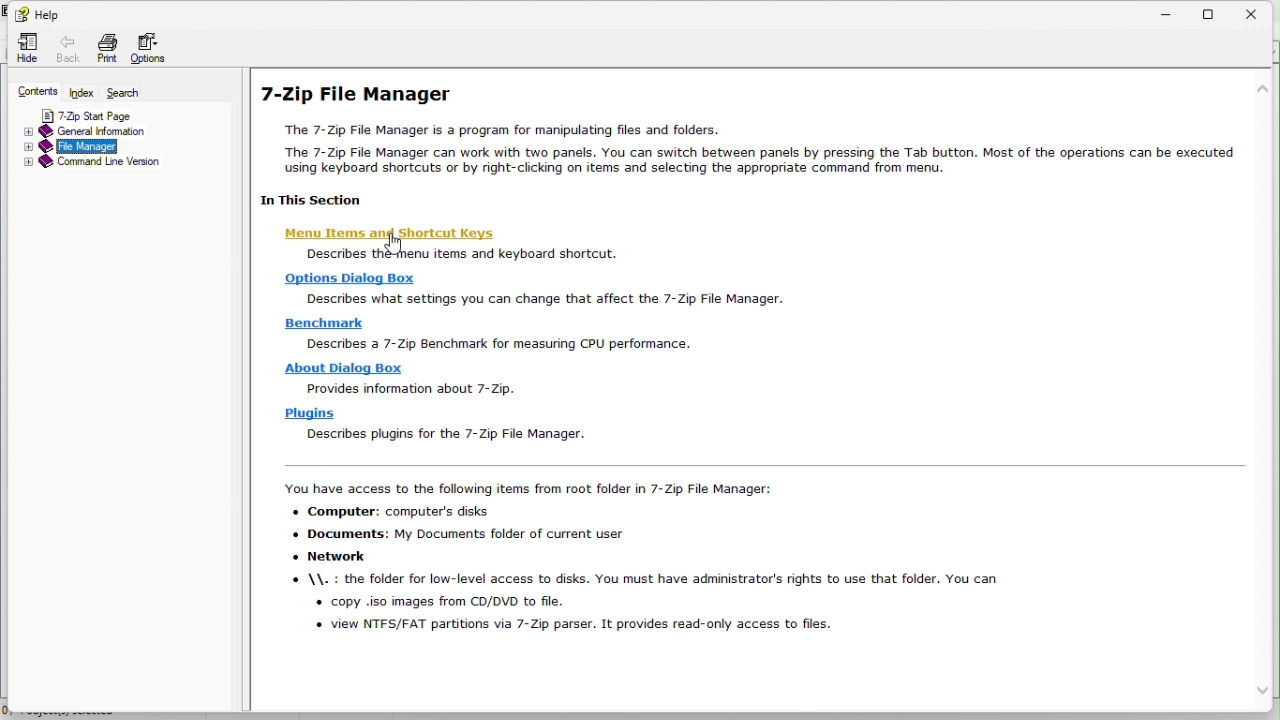 This screenshot has height=720, width=1280. I want to click on In This Section, so click(313, 200).